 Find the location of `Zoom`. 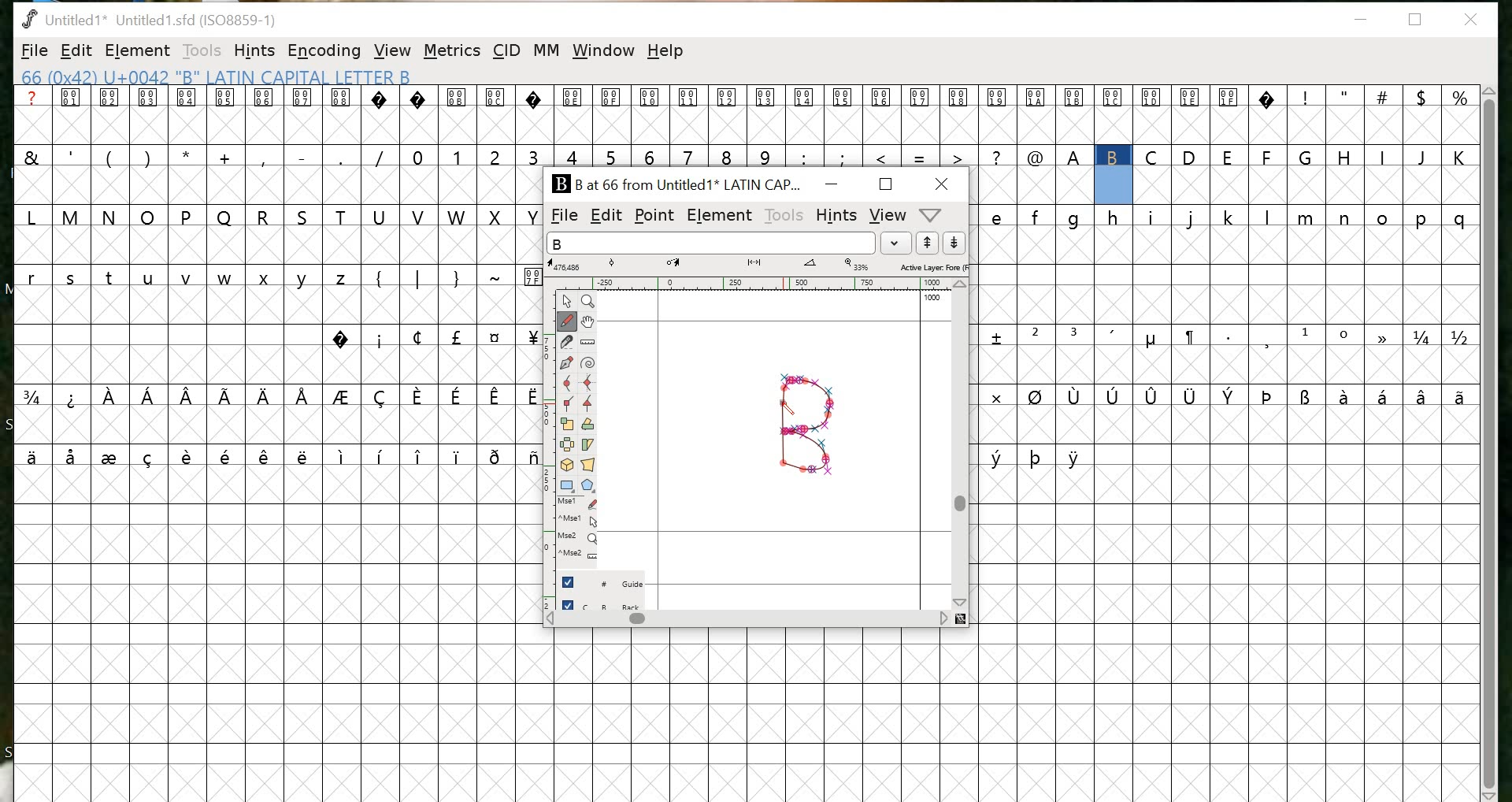

Zoom is located at coordinates (589, 302).